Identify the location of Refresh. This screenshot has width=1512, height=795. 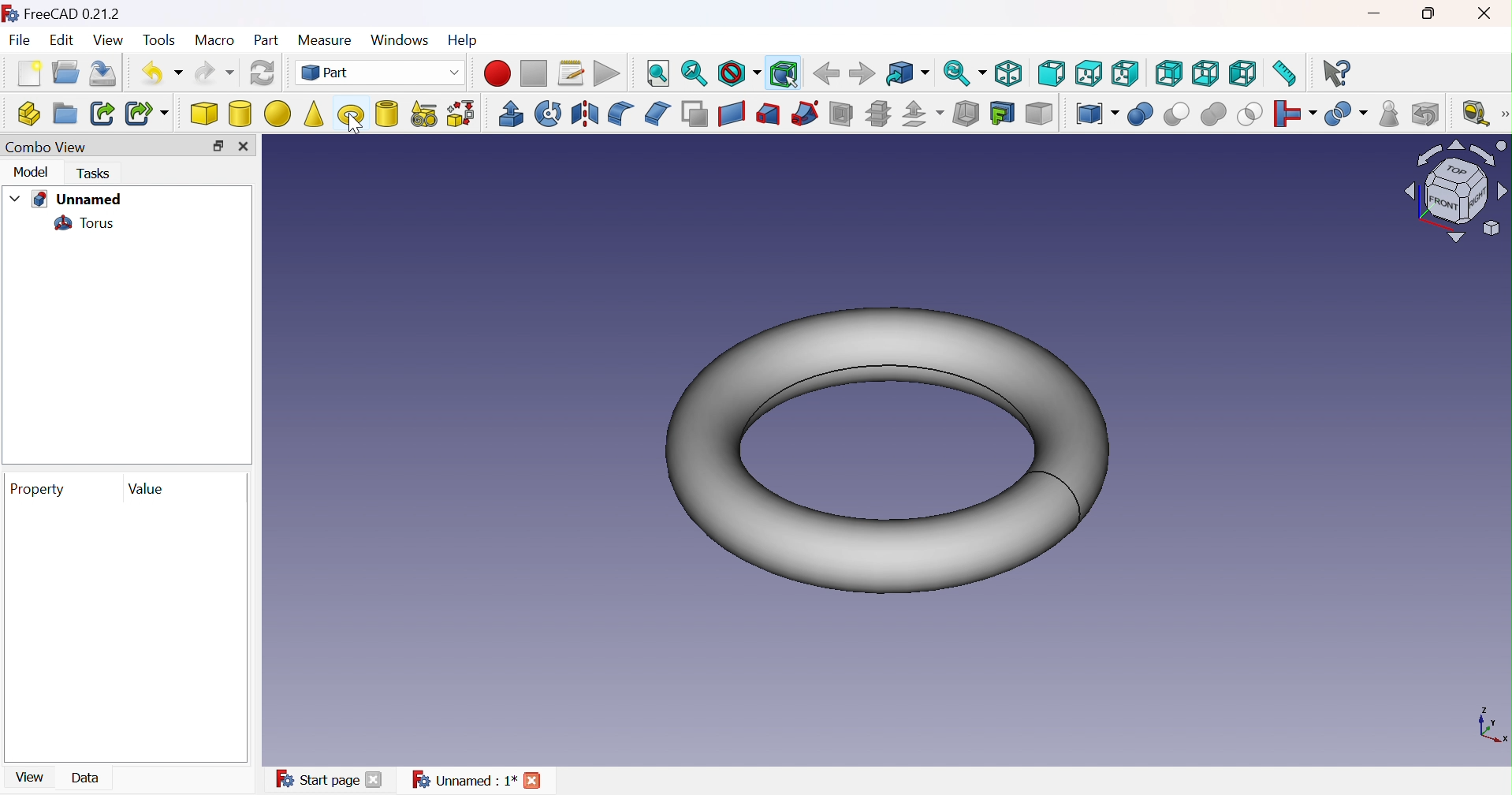
(261, 73).